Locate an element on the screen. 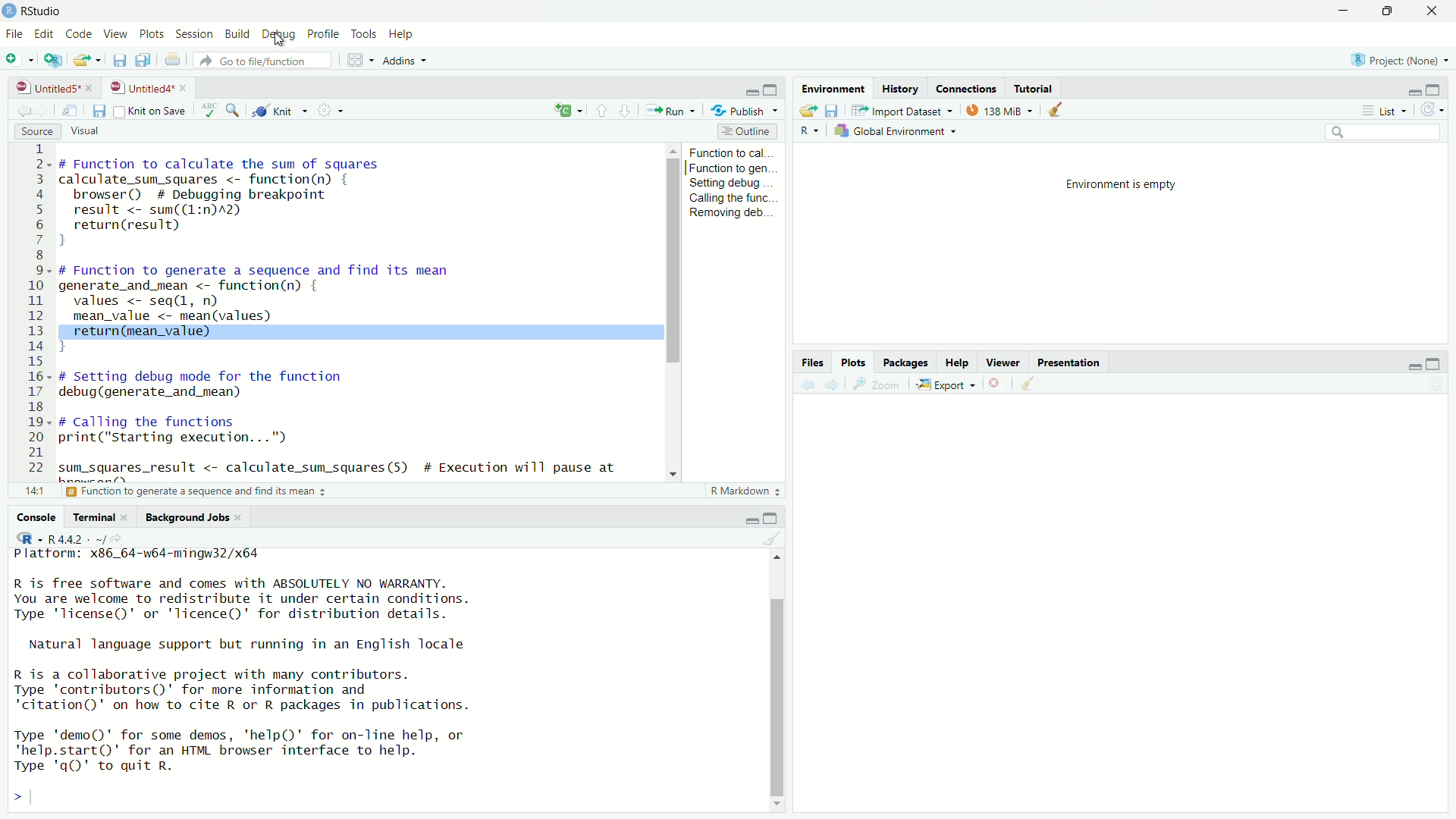  go to next section/chunk is located at coordinates (623, 111).